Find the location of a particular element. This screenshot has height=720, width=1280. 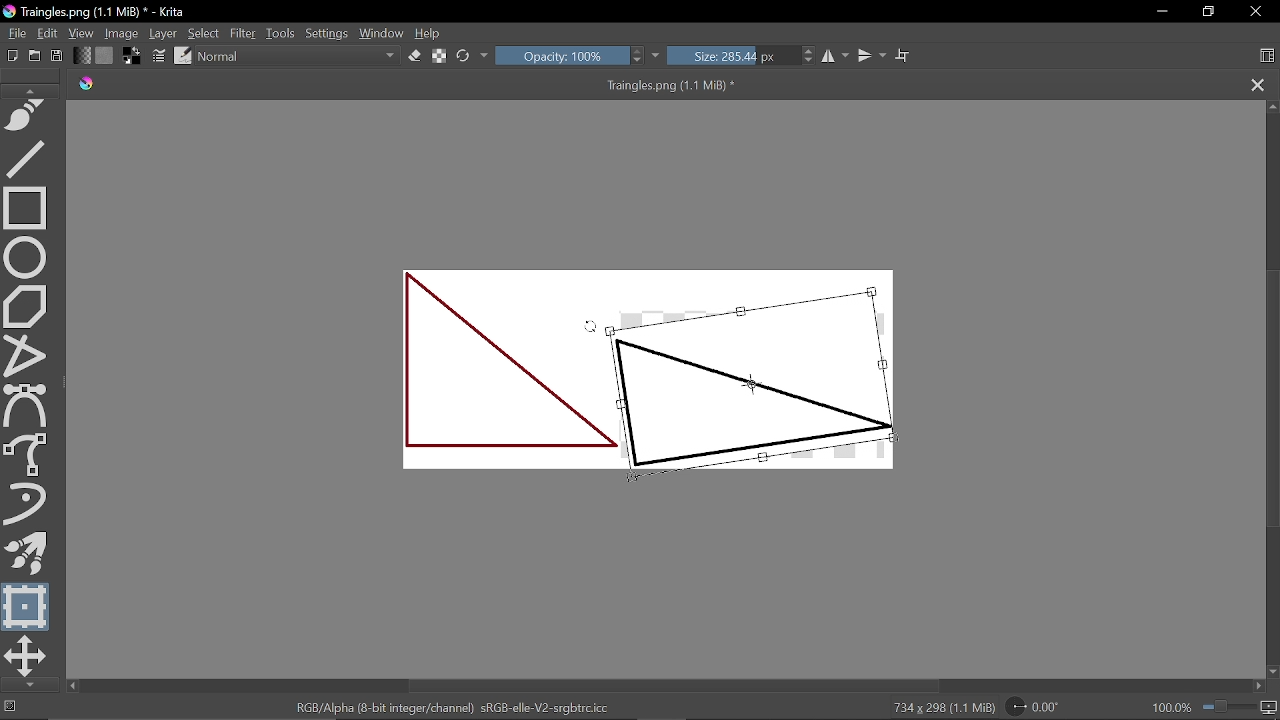

Ellipse select tool is located at coordinates (29, 255).